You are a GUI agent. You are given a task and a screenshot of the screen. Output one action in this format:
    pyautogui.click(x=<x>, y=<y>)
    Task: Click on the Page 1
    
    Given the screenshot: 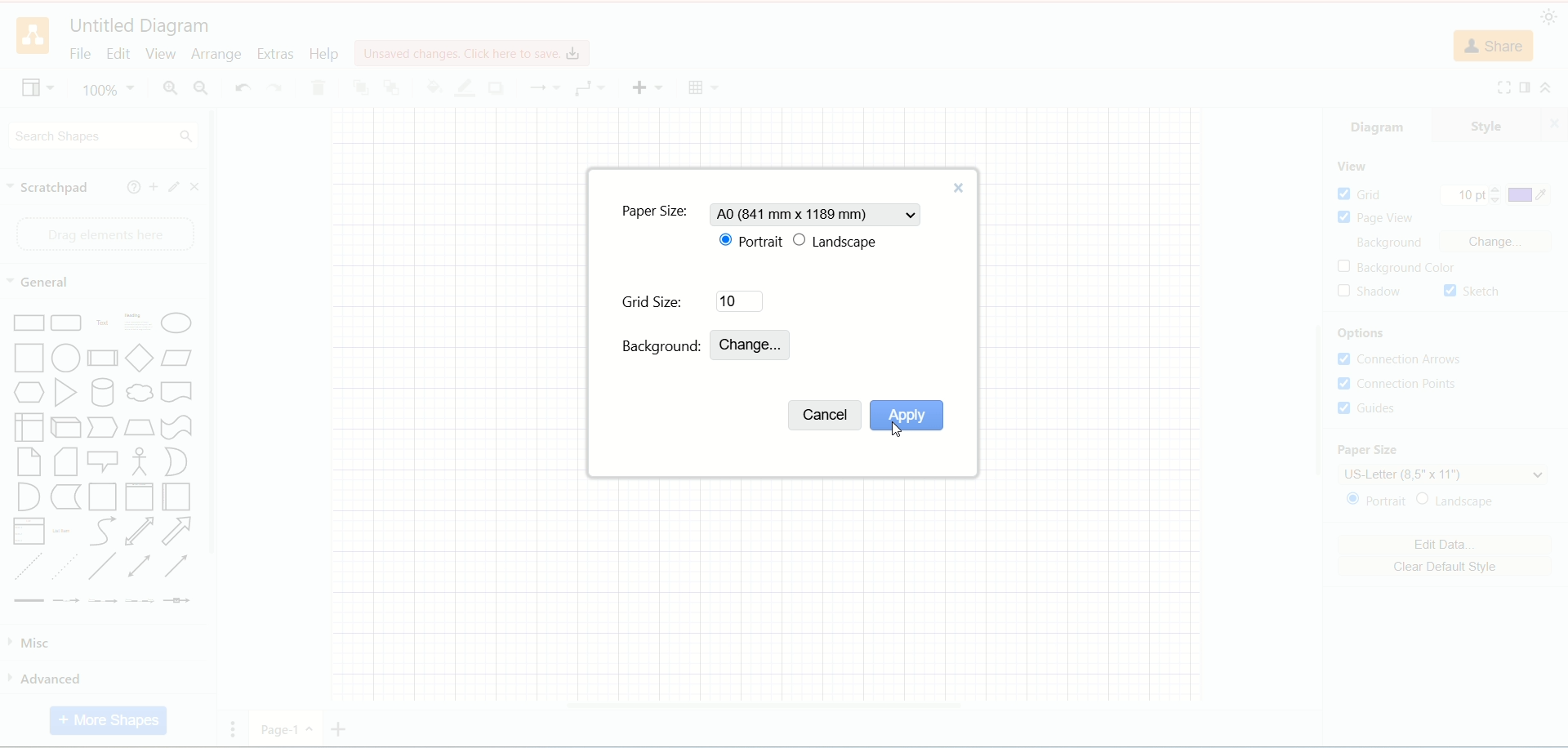 What is the action you would take?
    pyautogui.click(x=283, y=730)
    